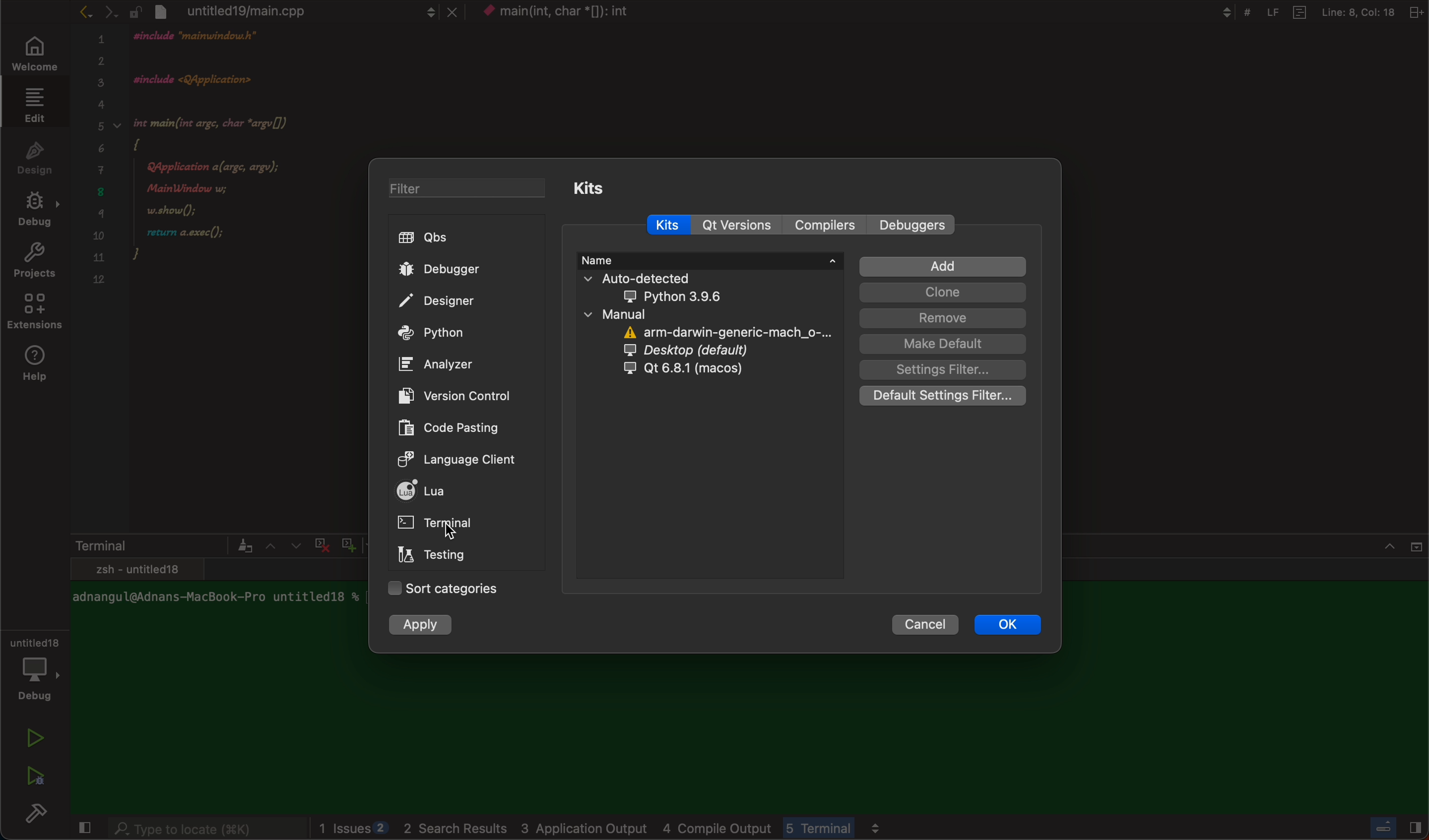  Describe the element at coordinates (1403, 543) in the screenshot. I see `close` at that location.